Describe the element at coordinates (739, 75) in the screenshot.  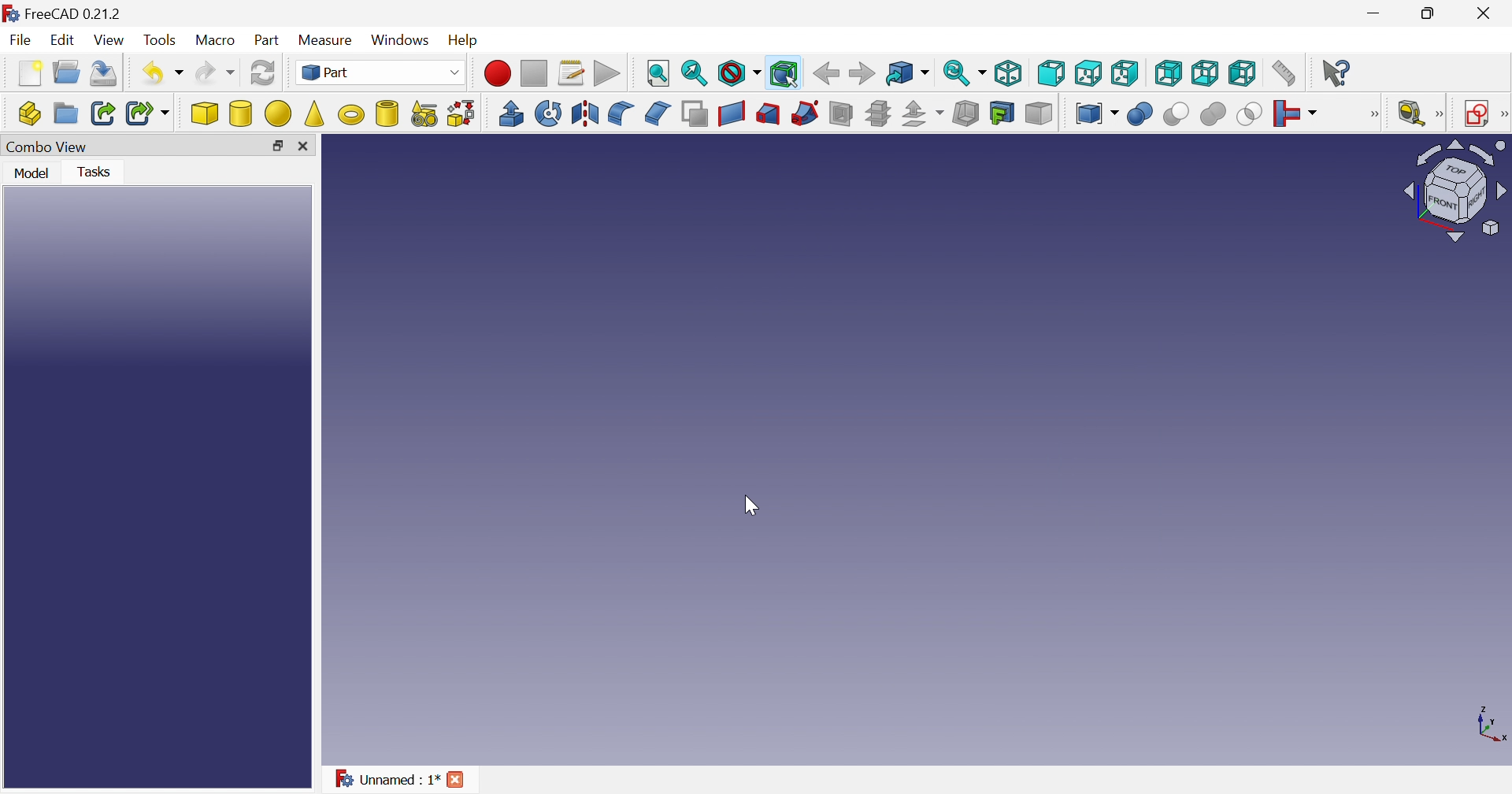
I see `Draw style ` at that location.